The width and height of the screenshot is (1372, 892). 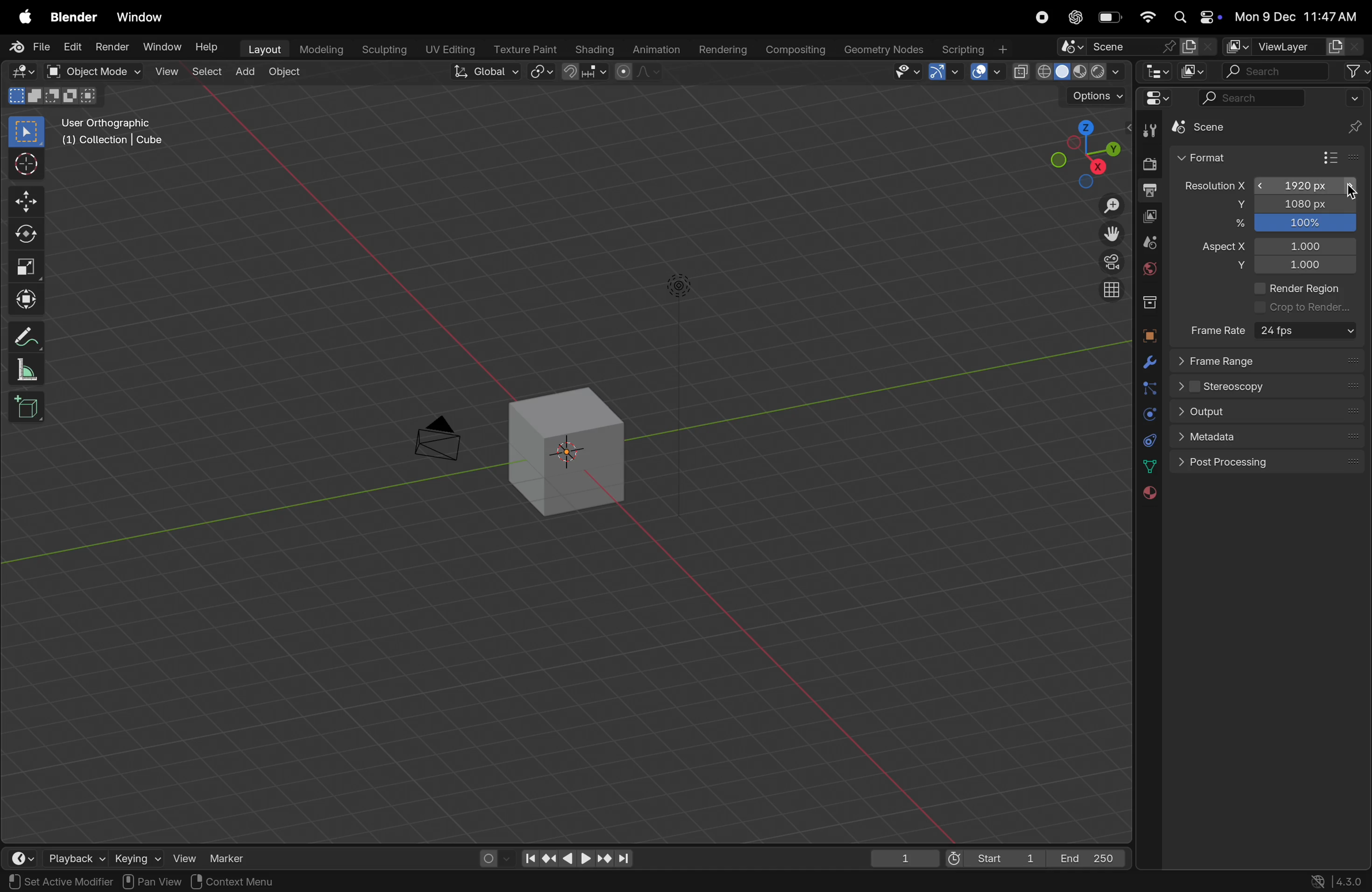 I want to click on add, so click(x=244, y=73).